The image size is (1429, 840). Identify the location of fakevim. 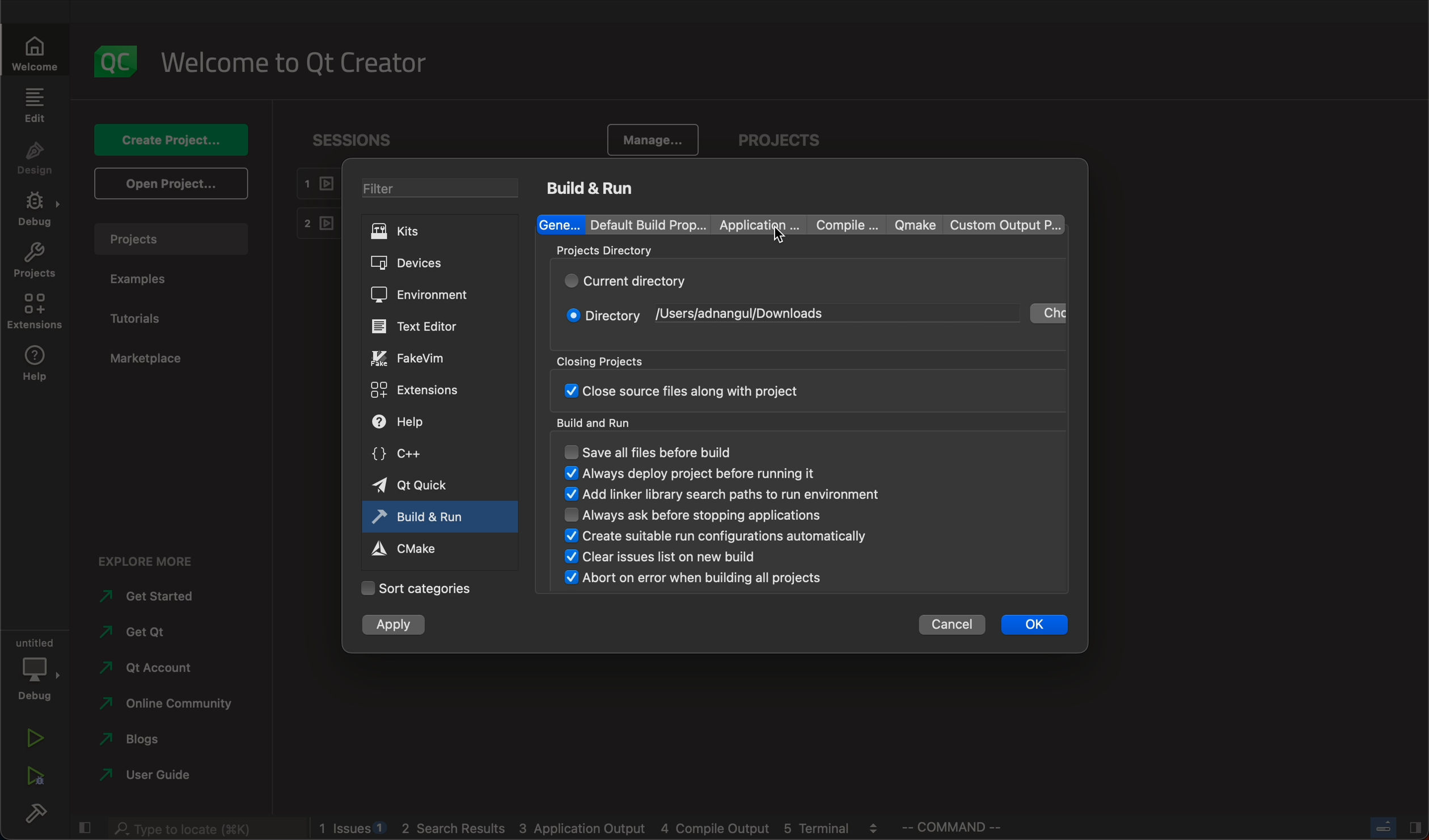
(426, 359).